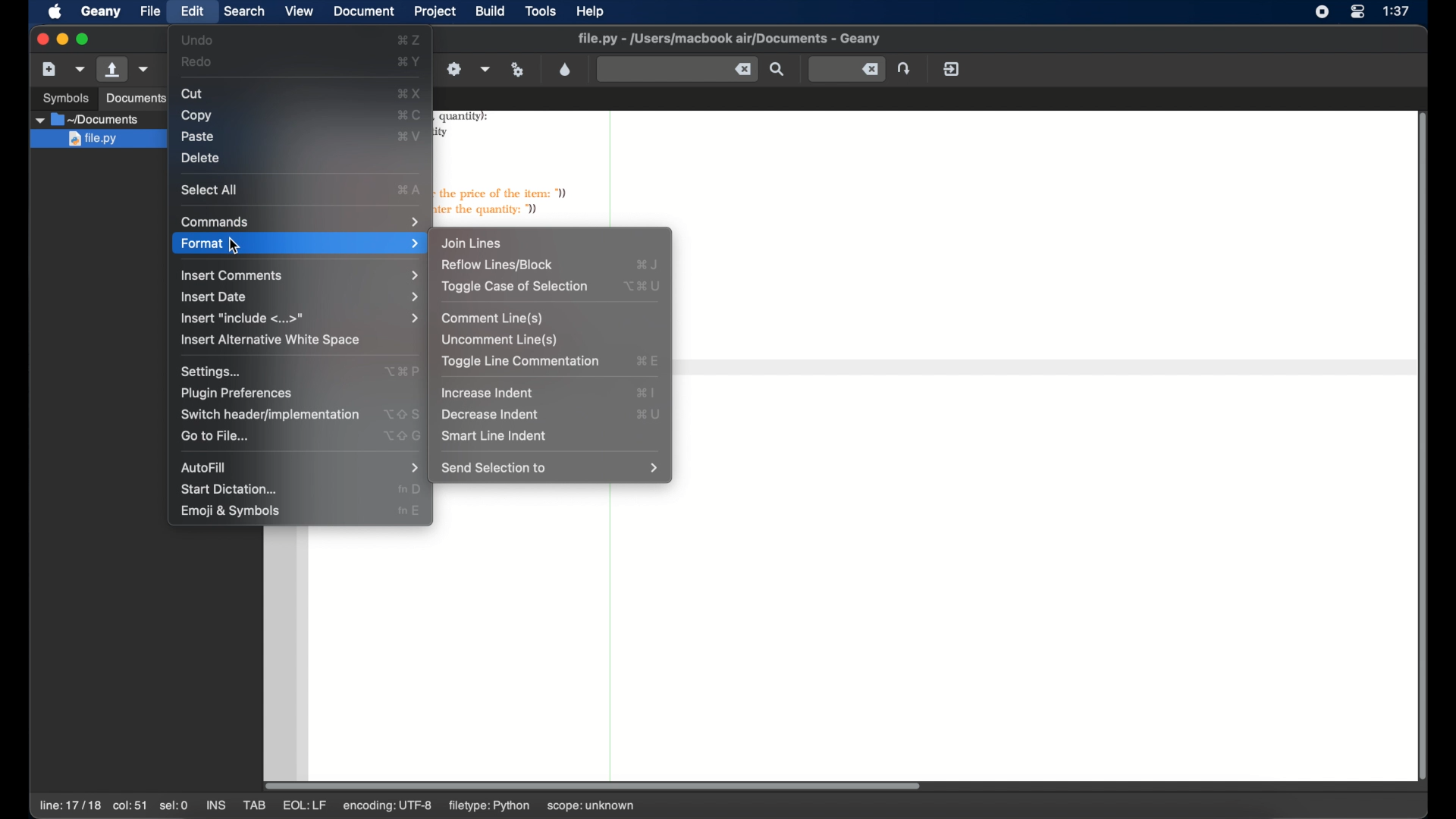 The height and width of the screenshot is (819, 1456). I want to click on find the entered text in the current file, so click(778, 70).